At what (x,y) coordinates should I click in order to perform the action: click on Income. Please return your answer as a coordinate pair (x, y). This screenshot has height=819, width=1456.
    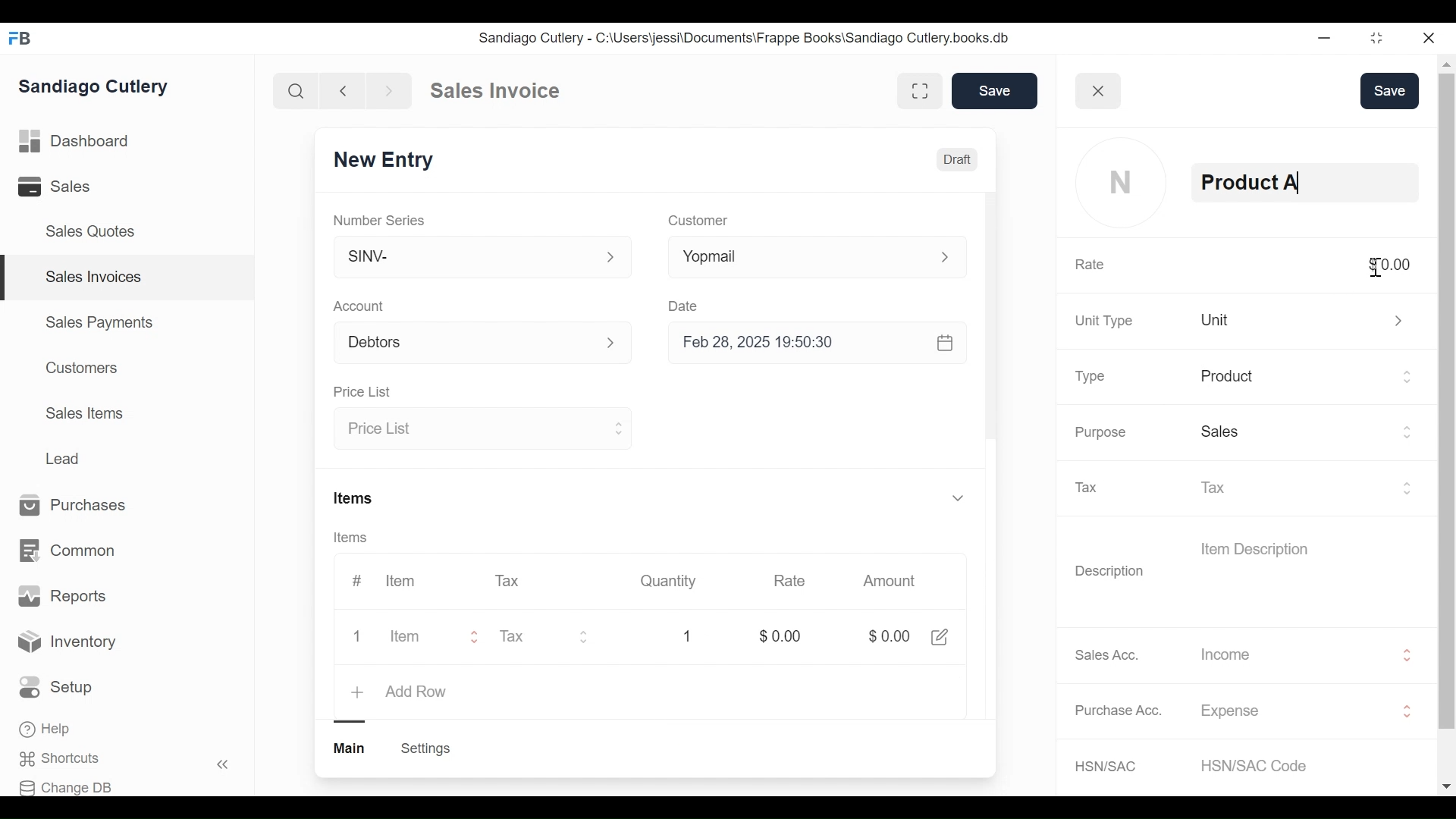
    Looking at the image, I should click on (1307, 654).